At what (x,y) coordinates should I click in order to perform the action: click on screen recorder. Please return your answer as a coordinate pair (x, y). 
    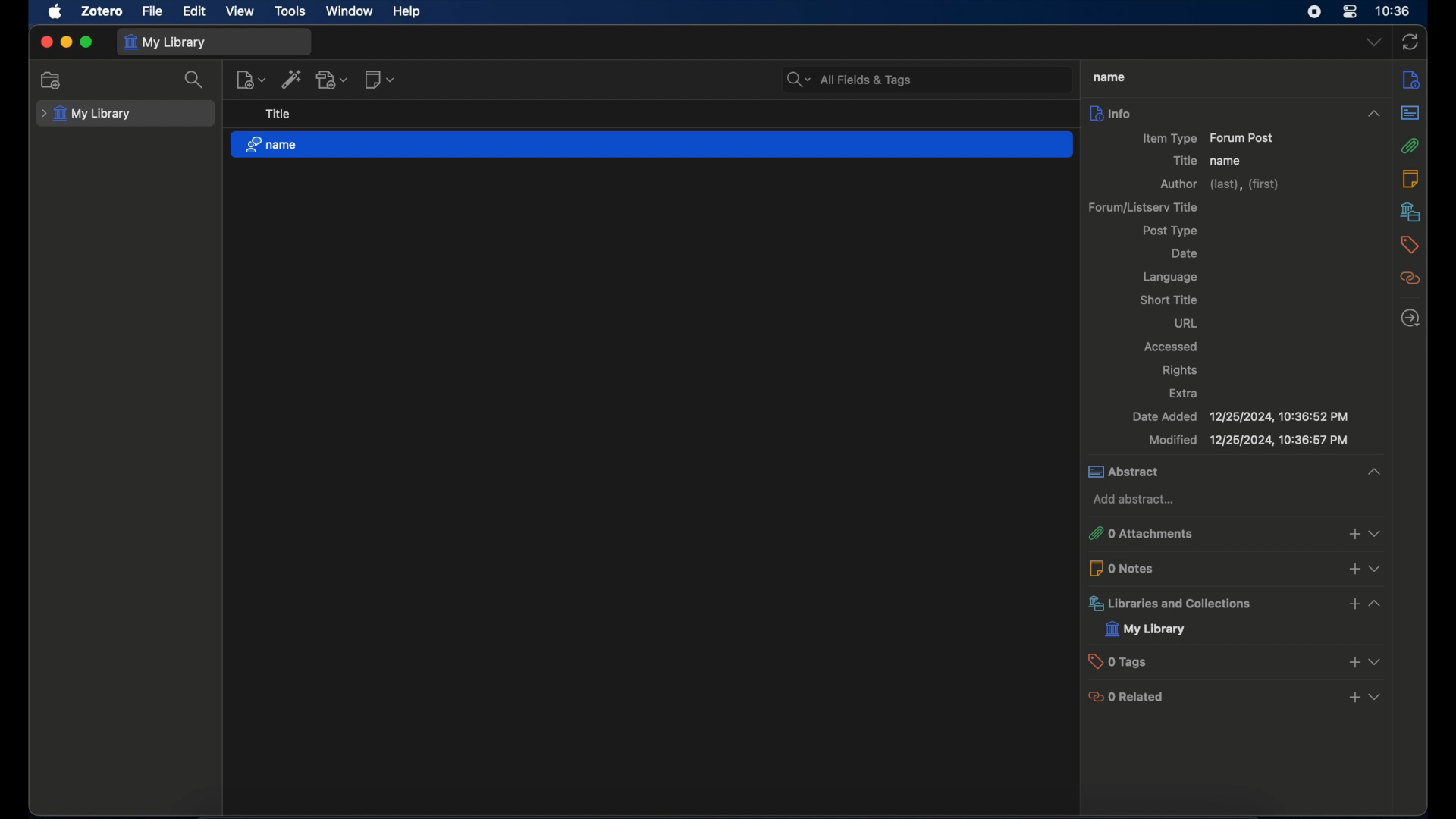
    Looking at the image, I should click on (1313, 12).